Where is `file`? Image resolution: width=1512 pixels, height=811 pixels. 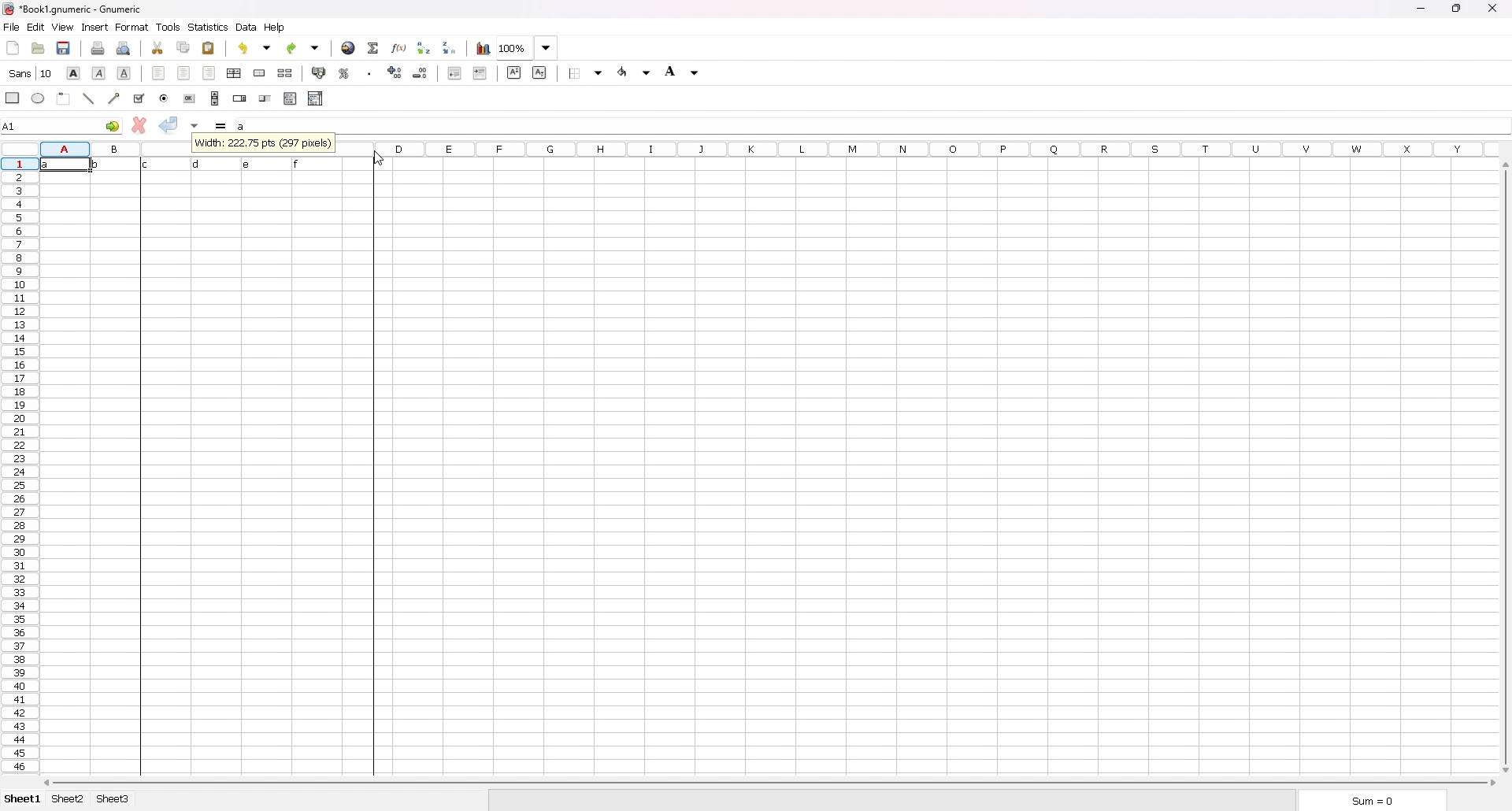 file is located at coordinates (11, 27).